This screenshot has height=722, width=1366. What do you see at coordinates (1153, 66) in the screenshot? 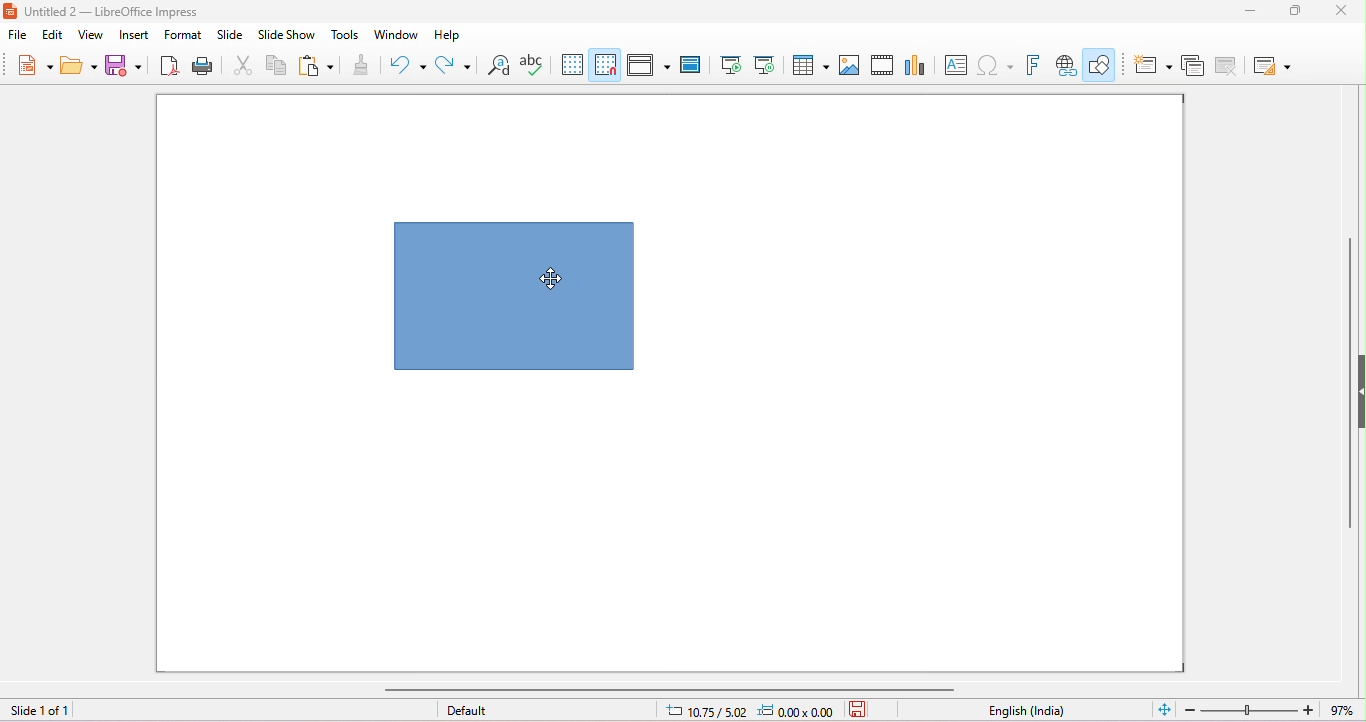
I see `new slide` at bounding box center [1153, 66].